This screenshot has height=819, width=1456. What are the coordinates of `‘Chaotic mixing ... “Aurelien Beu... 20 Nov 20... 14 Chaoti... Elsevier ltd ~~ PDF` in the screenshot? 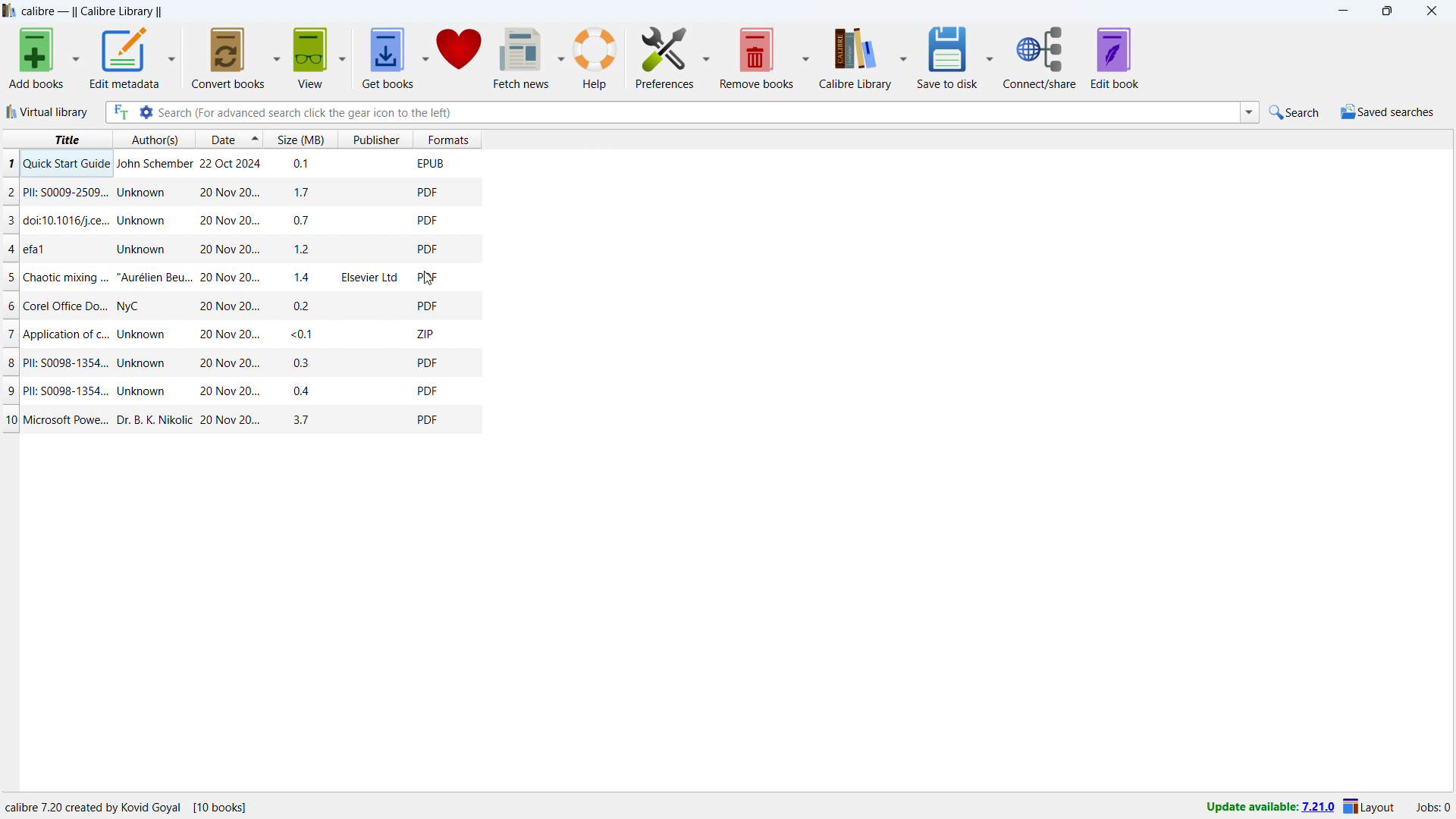 It's located at (267, 278).